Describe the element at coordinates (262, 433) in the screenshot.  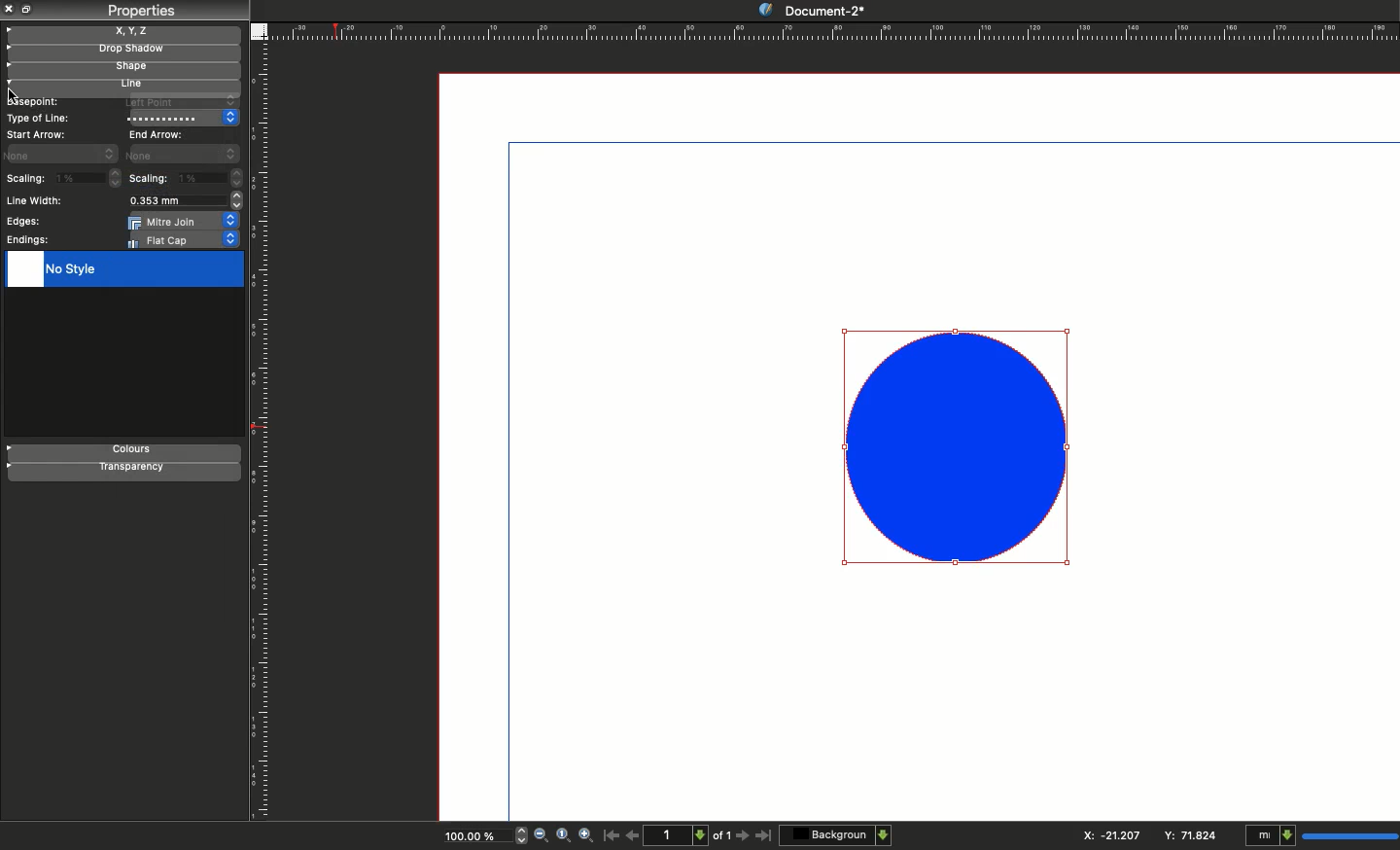
I see `Ruler` at that location.